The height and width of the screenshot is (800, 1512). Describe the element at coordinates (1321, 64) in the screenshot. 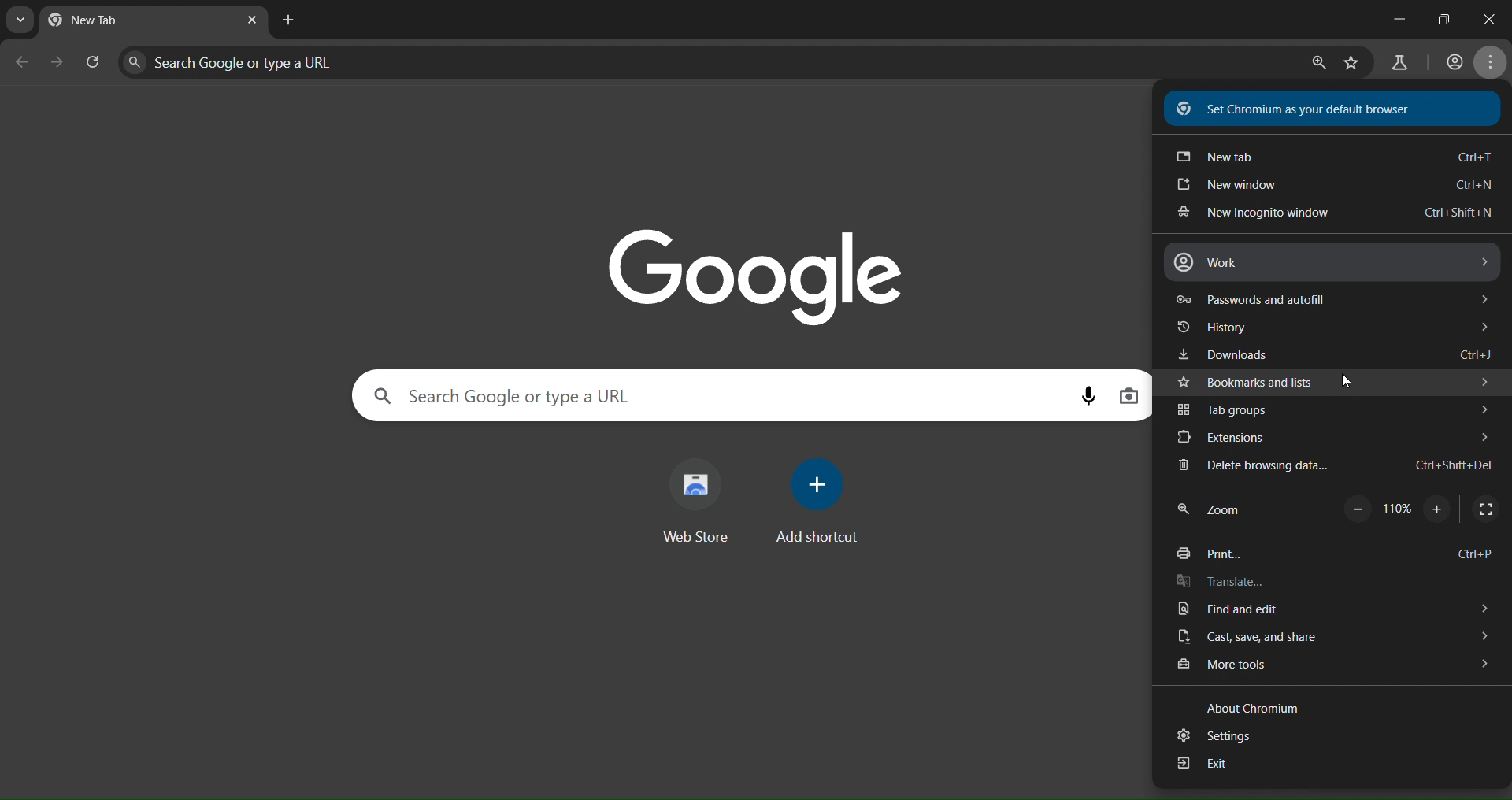

I see `zoom ` at that location.